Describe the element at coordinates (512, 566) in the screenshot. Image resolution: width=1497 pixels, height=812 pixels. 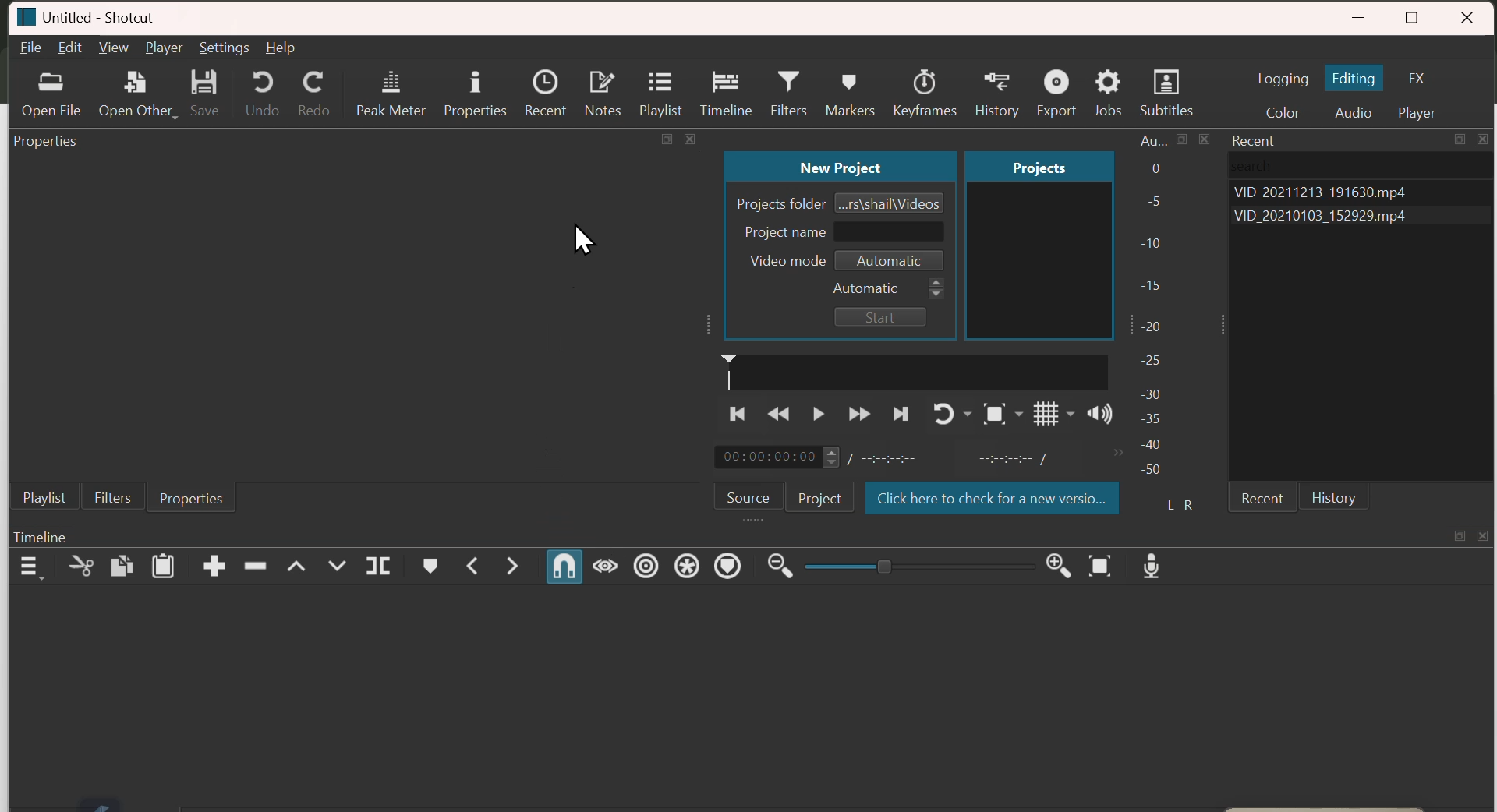
I see `Next marker` at that location.